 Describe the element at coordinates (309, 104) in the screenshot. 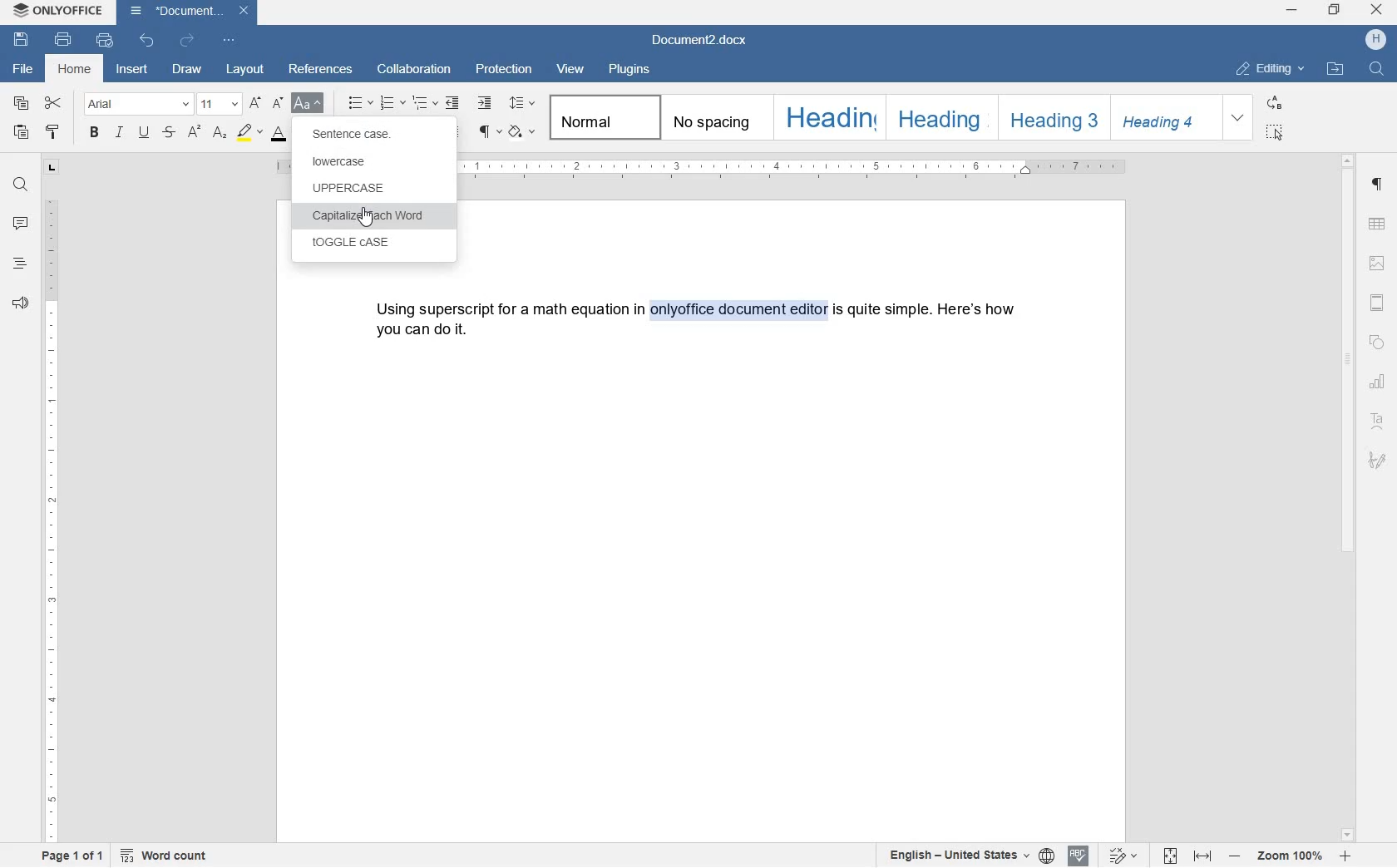

I see `change case` at that location.